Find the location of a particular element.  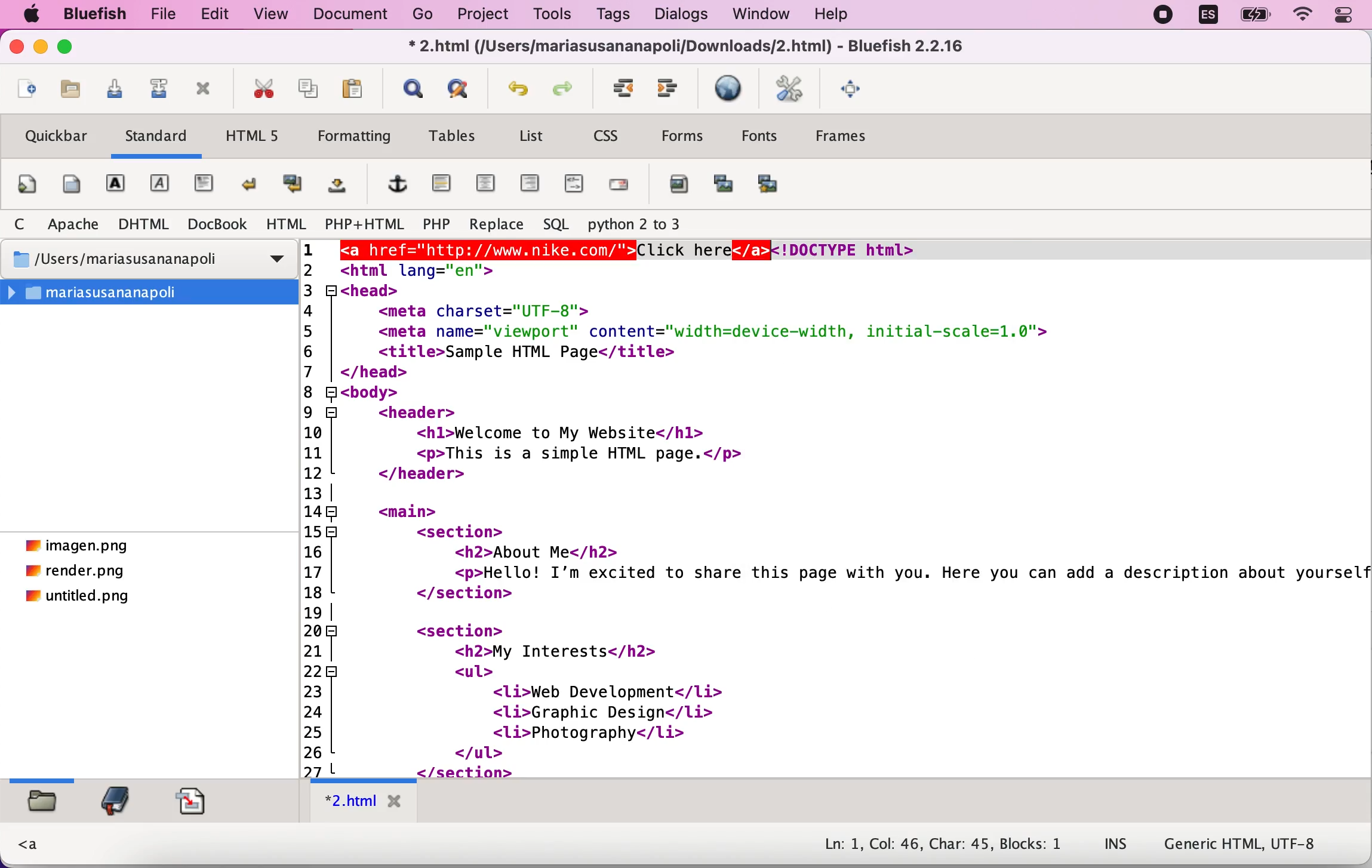

close current file is located at coordinates (204, 91).